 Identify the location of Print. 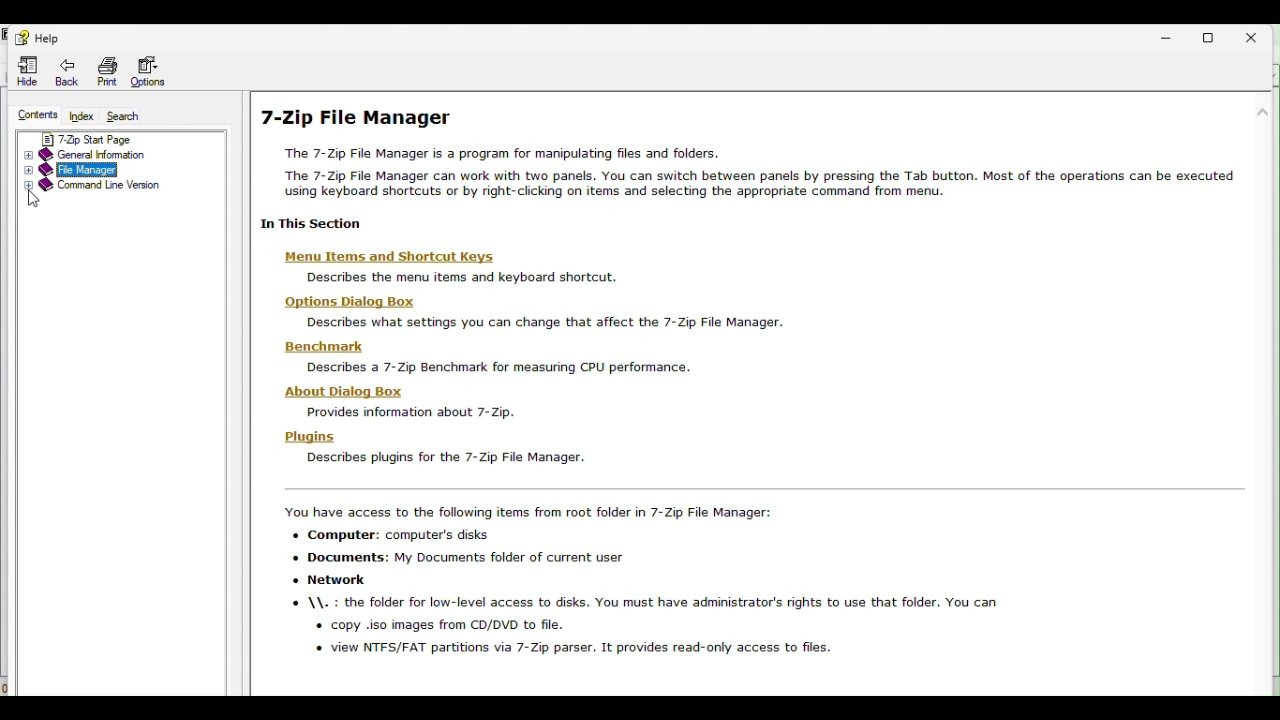
(109, 72).